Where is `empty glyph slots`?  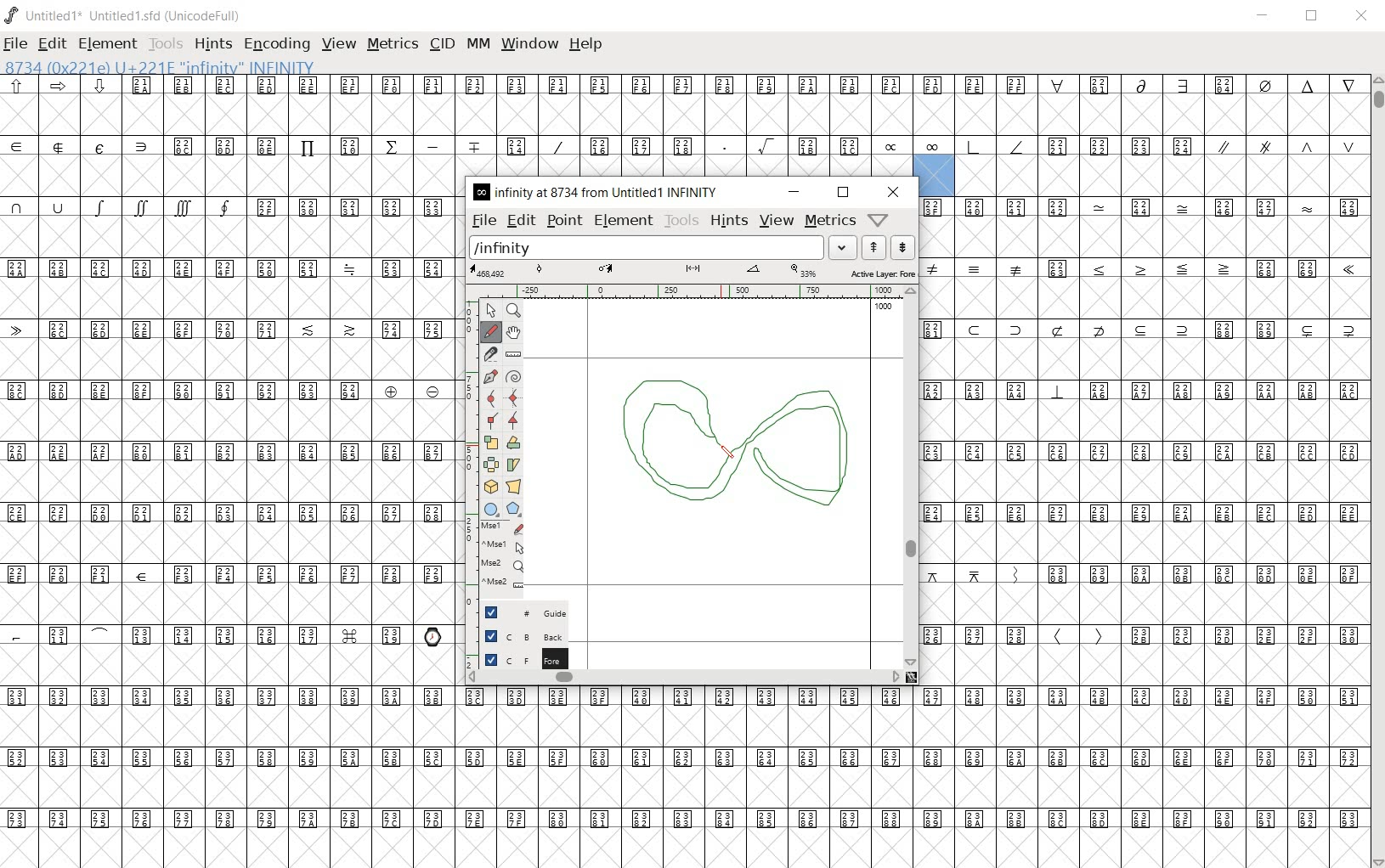
empty glyph slots is located at coordinates (1146, 420).